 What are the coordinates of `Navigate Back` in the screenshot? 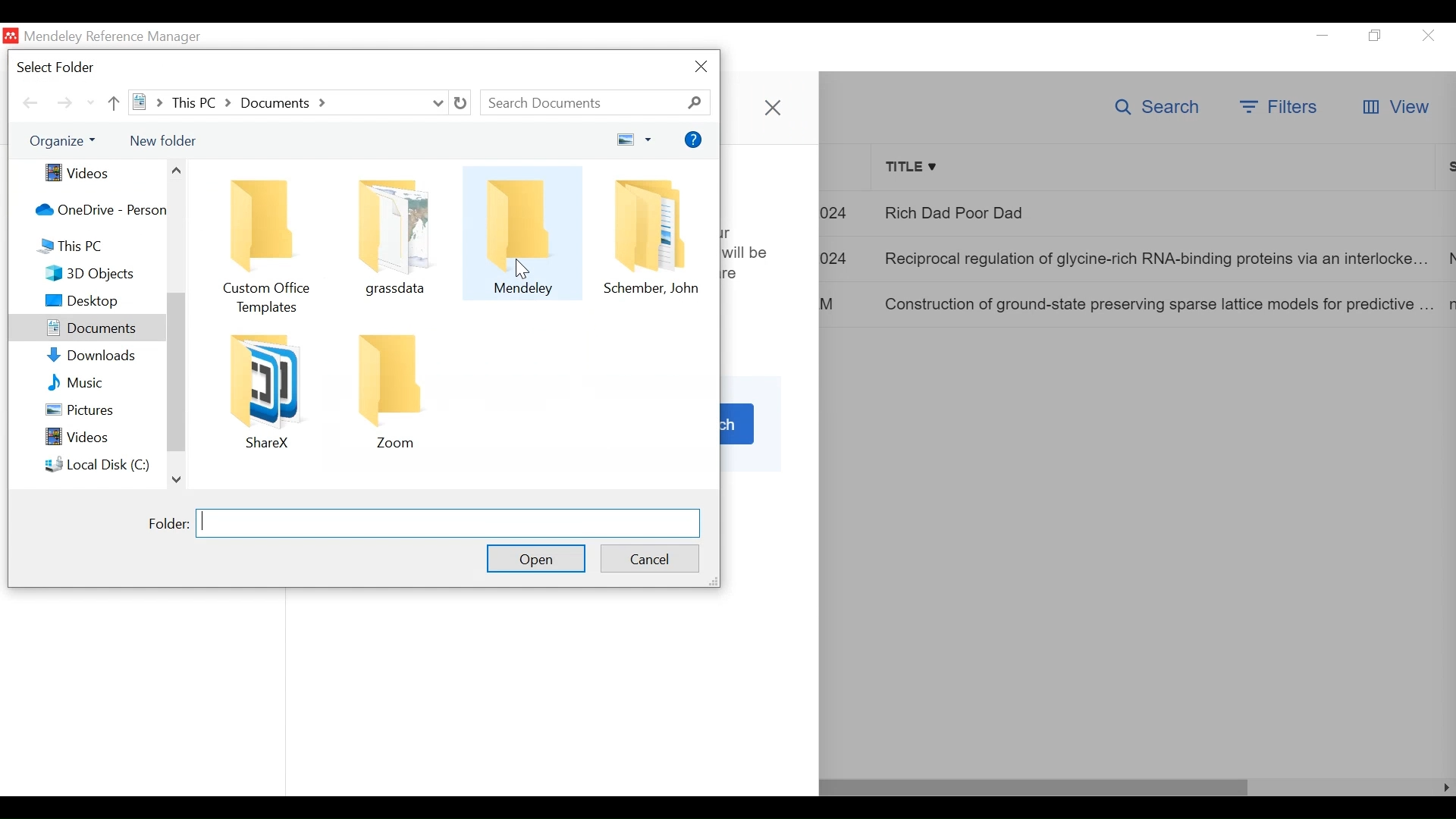 It's located at (30, 105).